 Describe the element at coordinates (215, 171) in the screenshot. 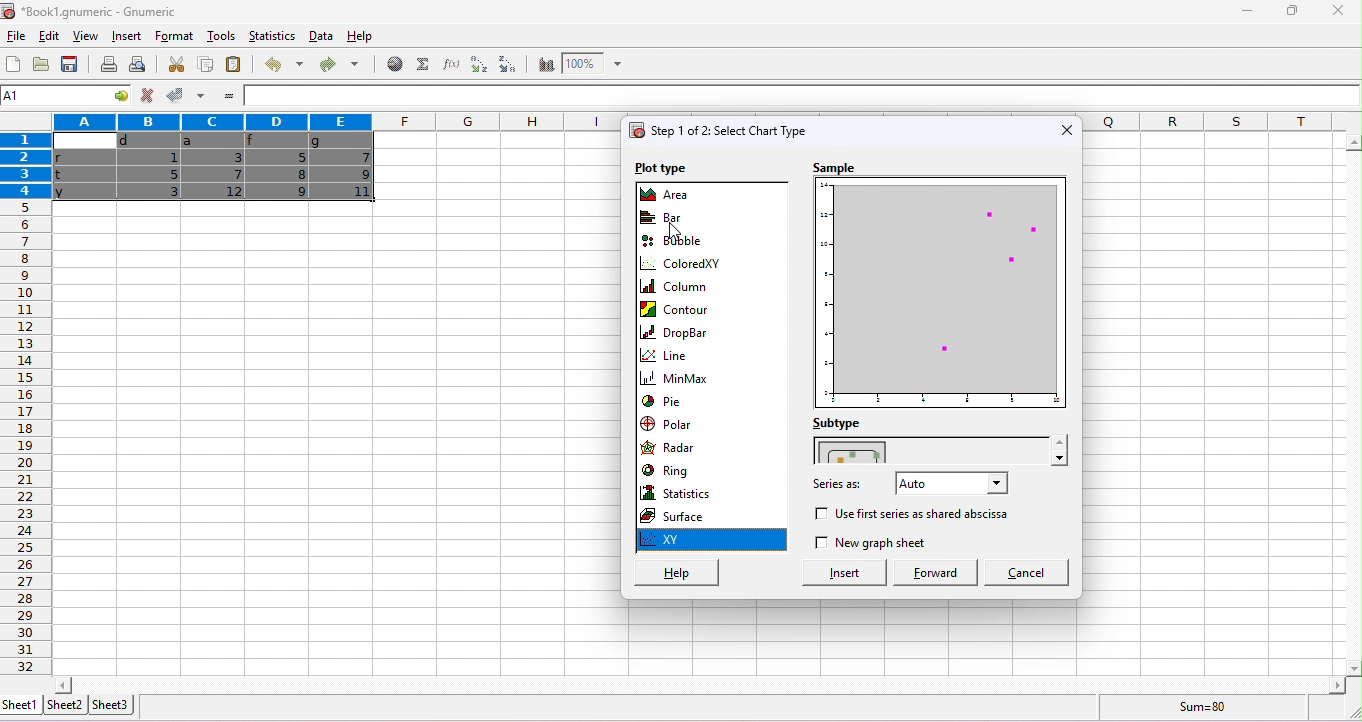

I see `cells dragged` at that location.